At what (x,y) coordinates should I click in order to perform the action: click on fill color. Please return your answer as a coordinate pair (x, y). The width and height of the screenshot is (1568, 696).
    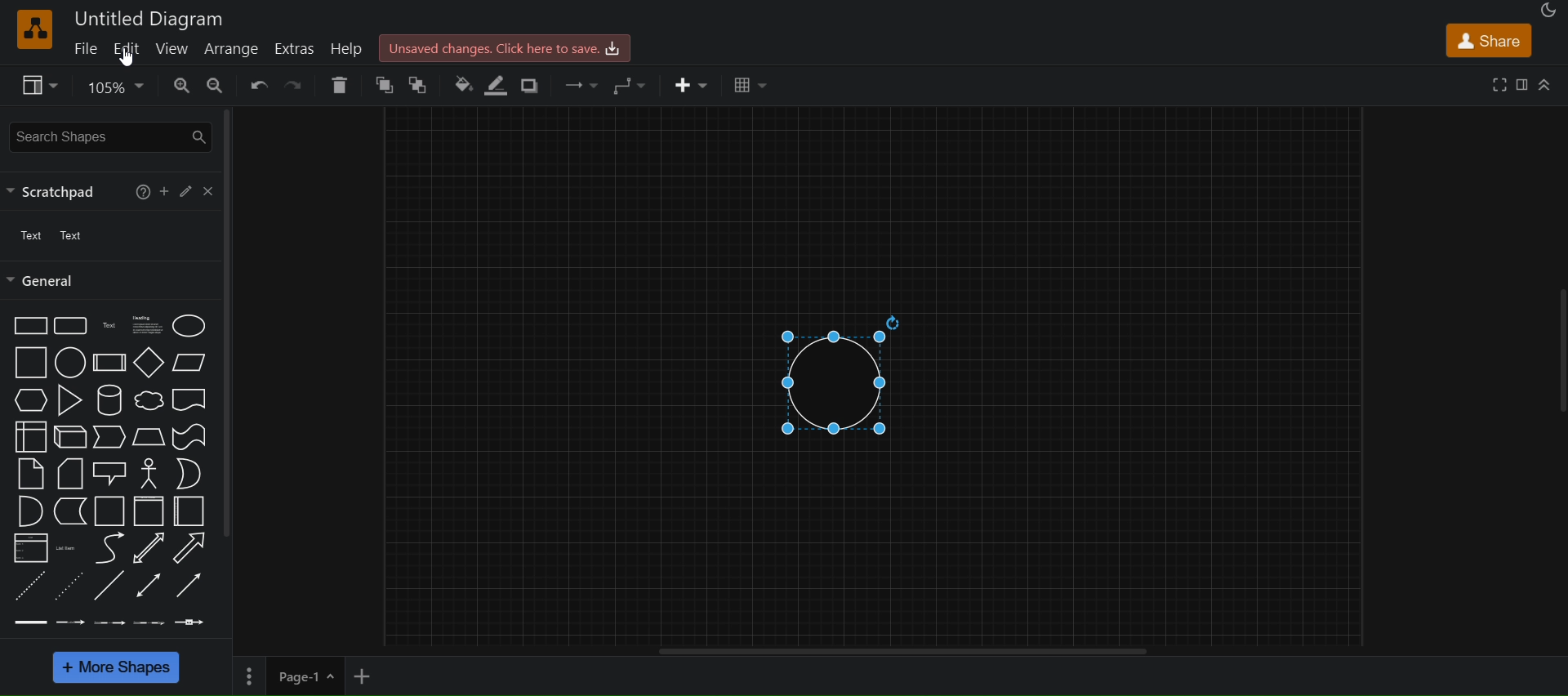
    Looking at the image, I should click on (462, 87).